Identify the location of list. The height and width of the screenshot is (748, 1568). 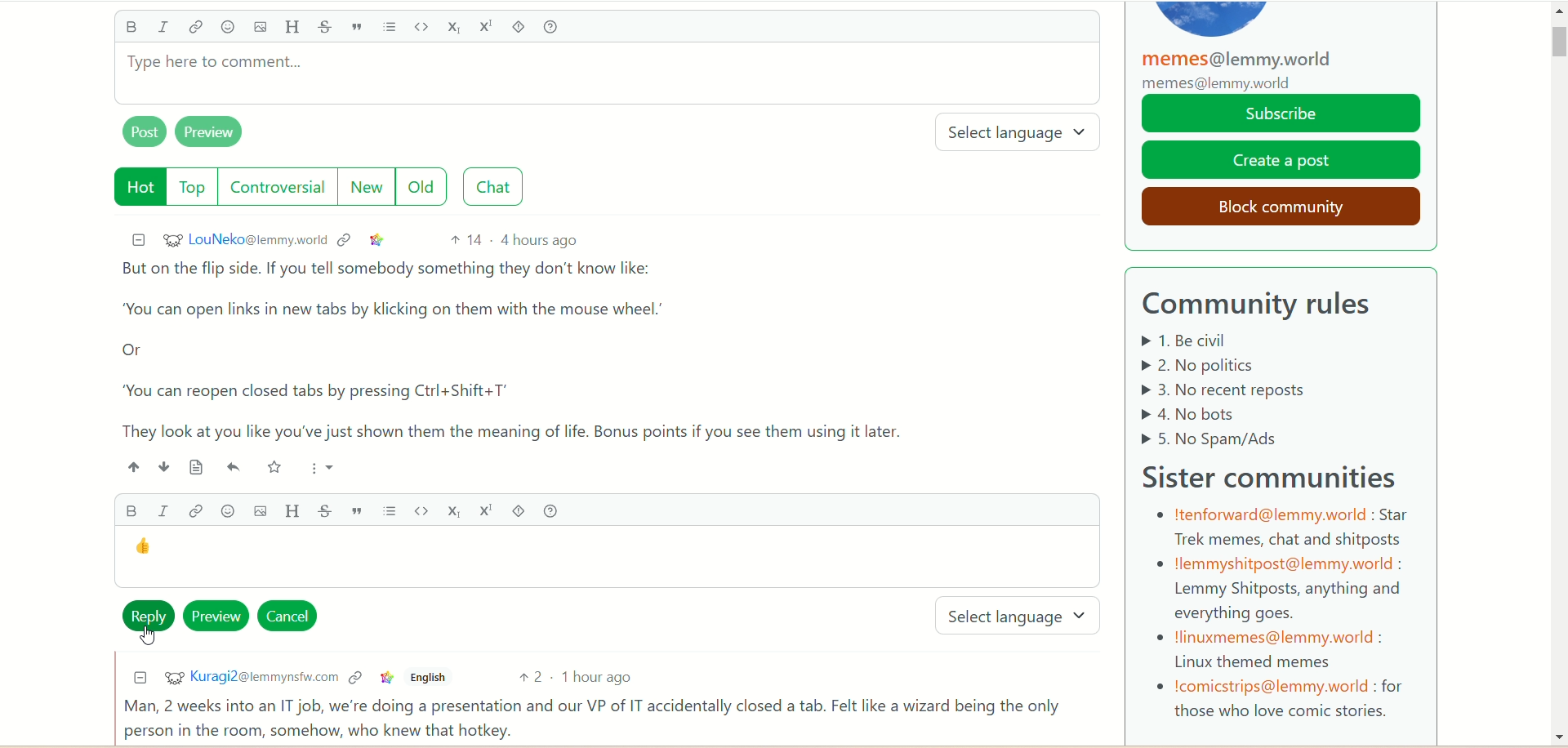
(390, 511).